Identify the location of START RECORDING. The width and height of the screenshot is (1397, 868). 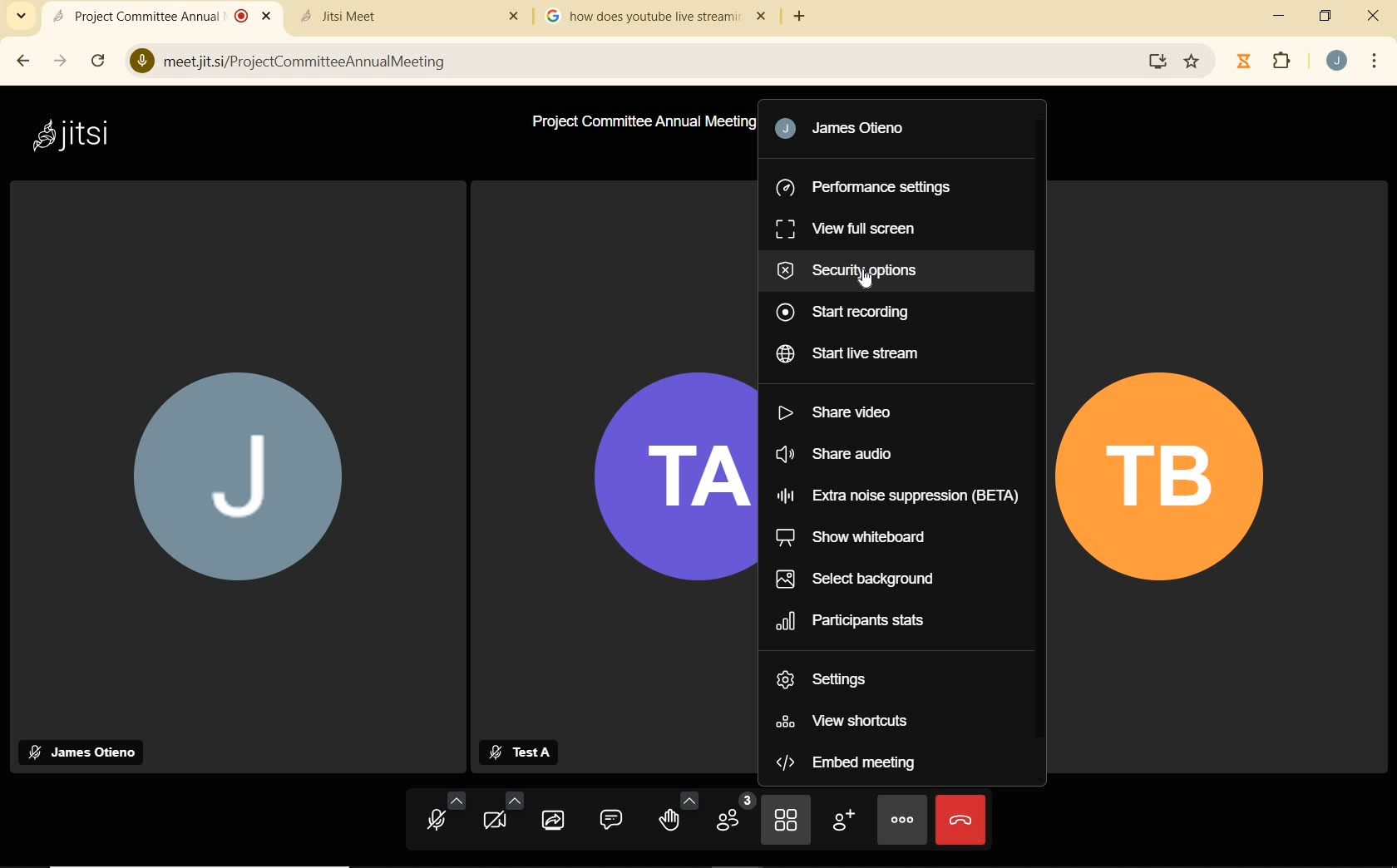
(846, 311).